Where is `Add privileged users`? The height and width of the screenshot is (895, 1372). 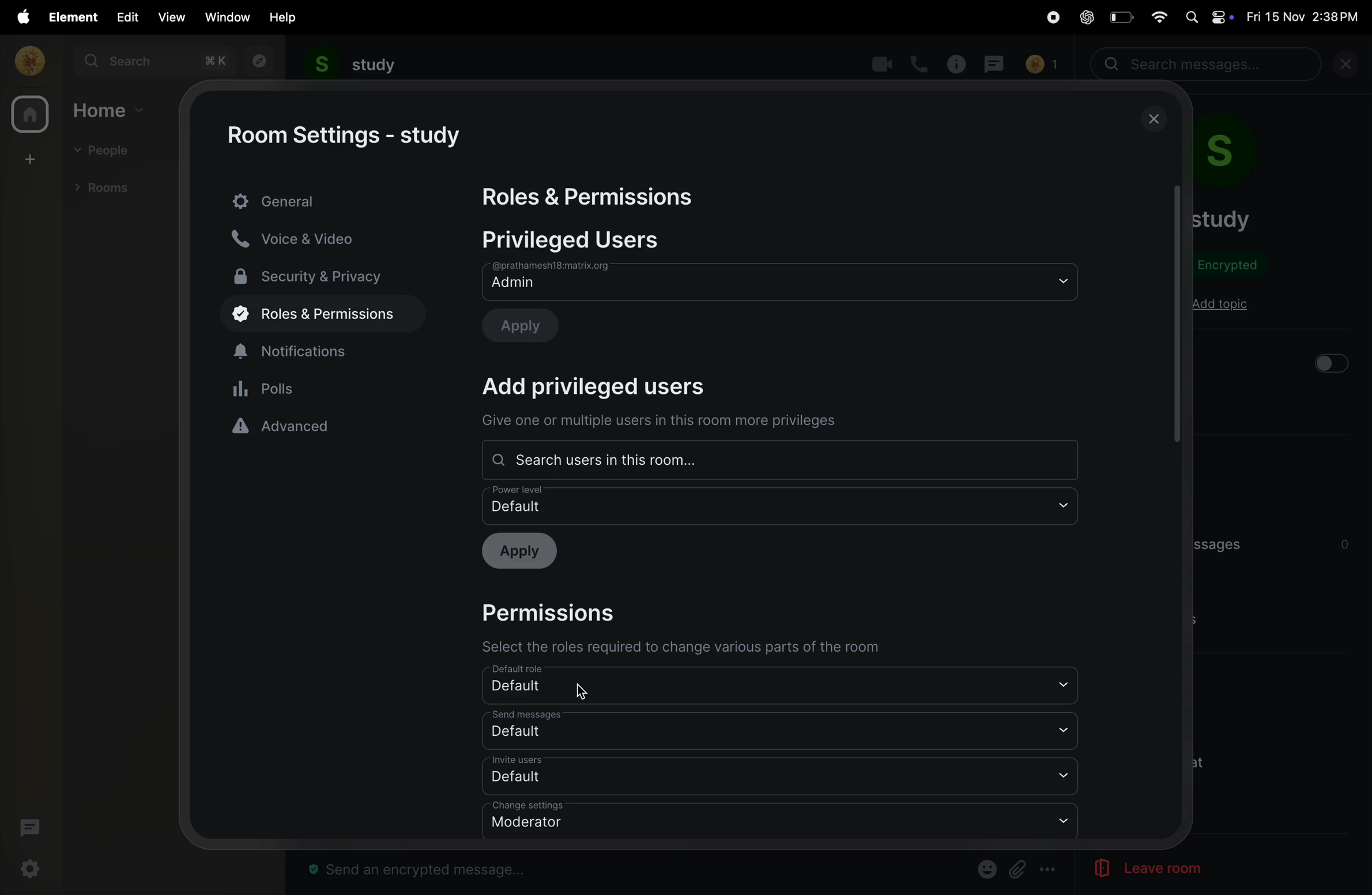 Add privileged users is located at coordinates (609, 387).